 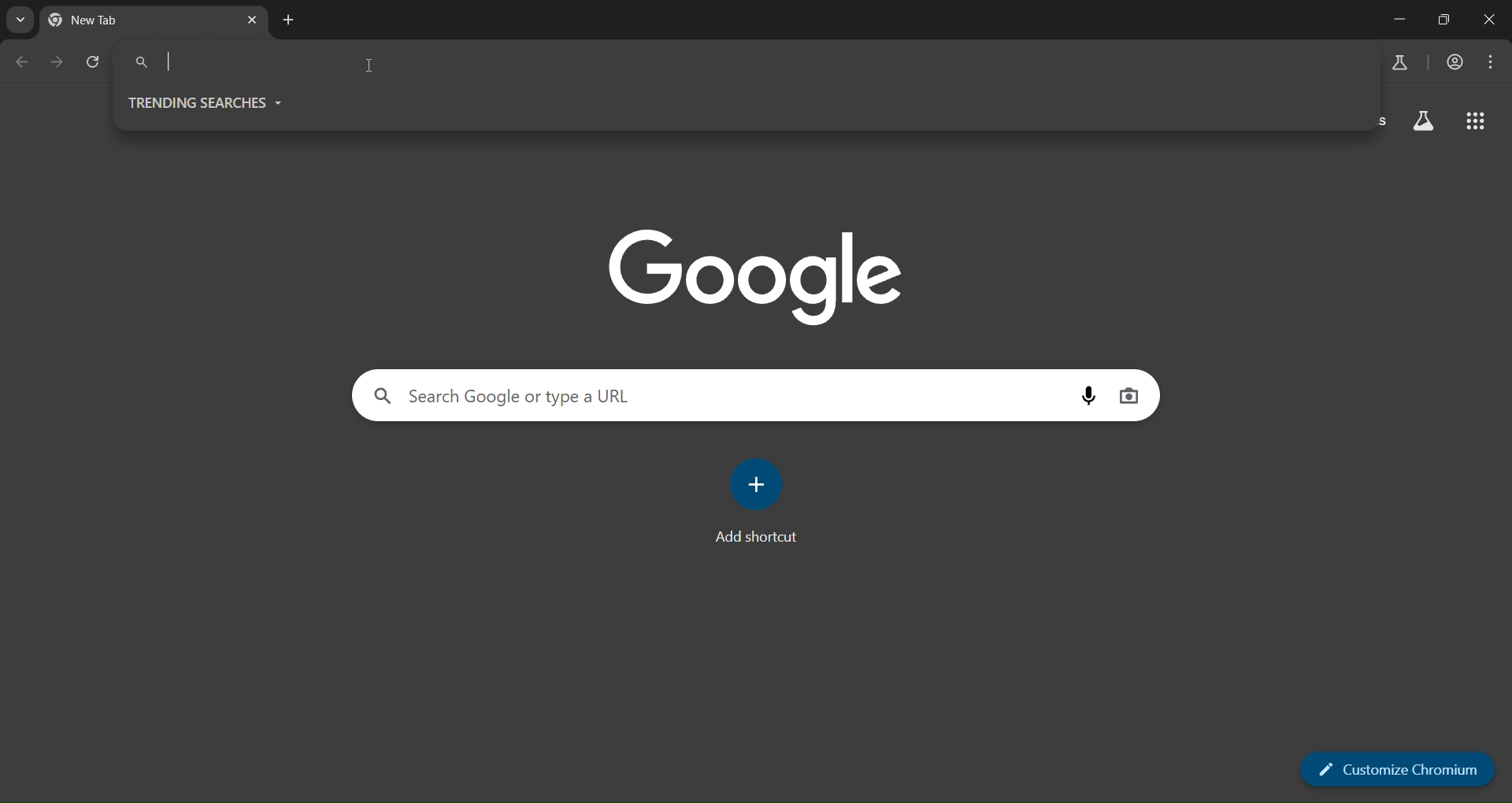 I want to click on voice search, so click(x=1086, y=394).